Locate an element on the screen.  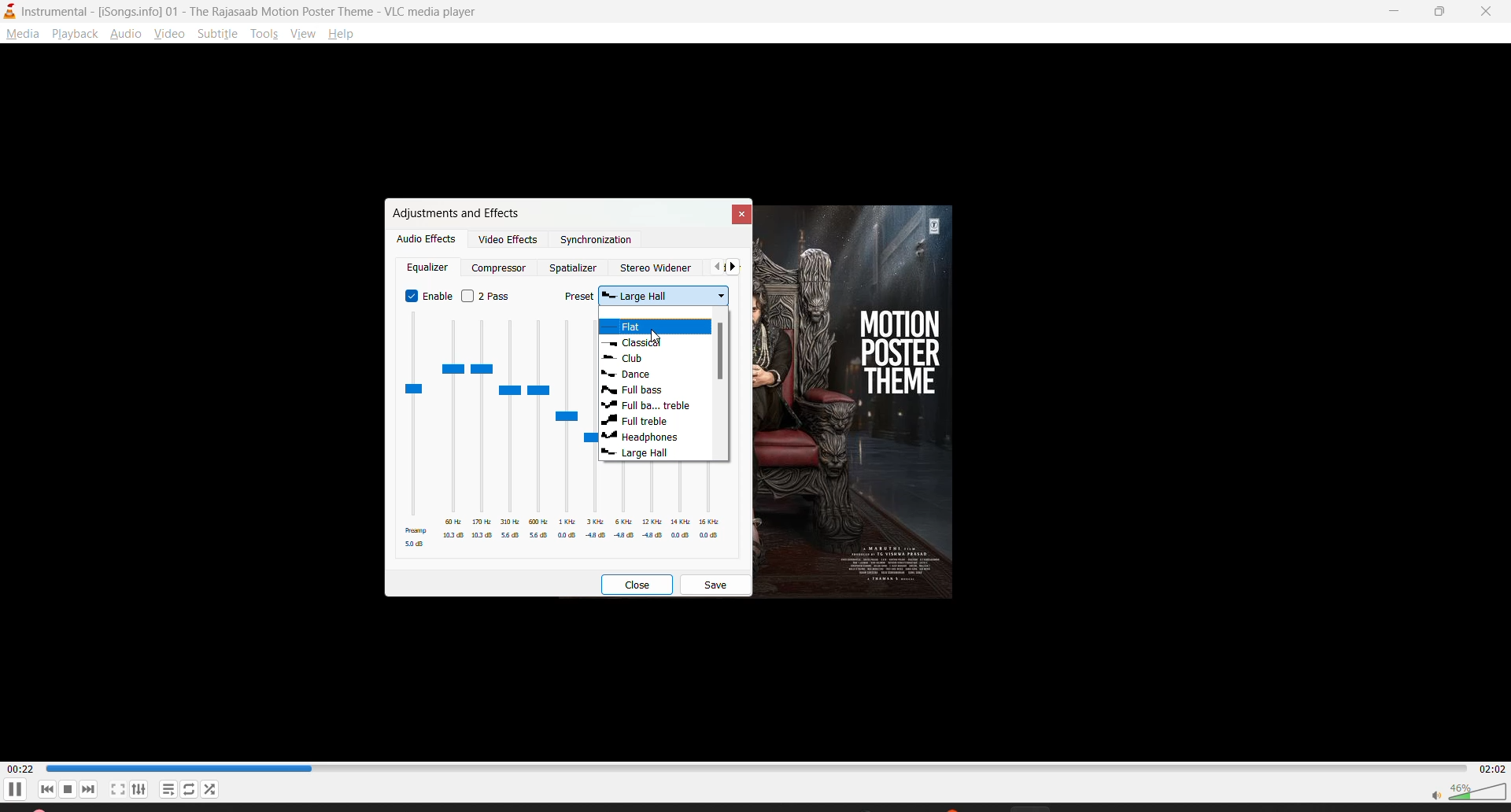
view is located at coordinates (303, 35).